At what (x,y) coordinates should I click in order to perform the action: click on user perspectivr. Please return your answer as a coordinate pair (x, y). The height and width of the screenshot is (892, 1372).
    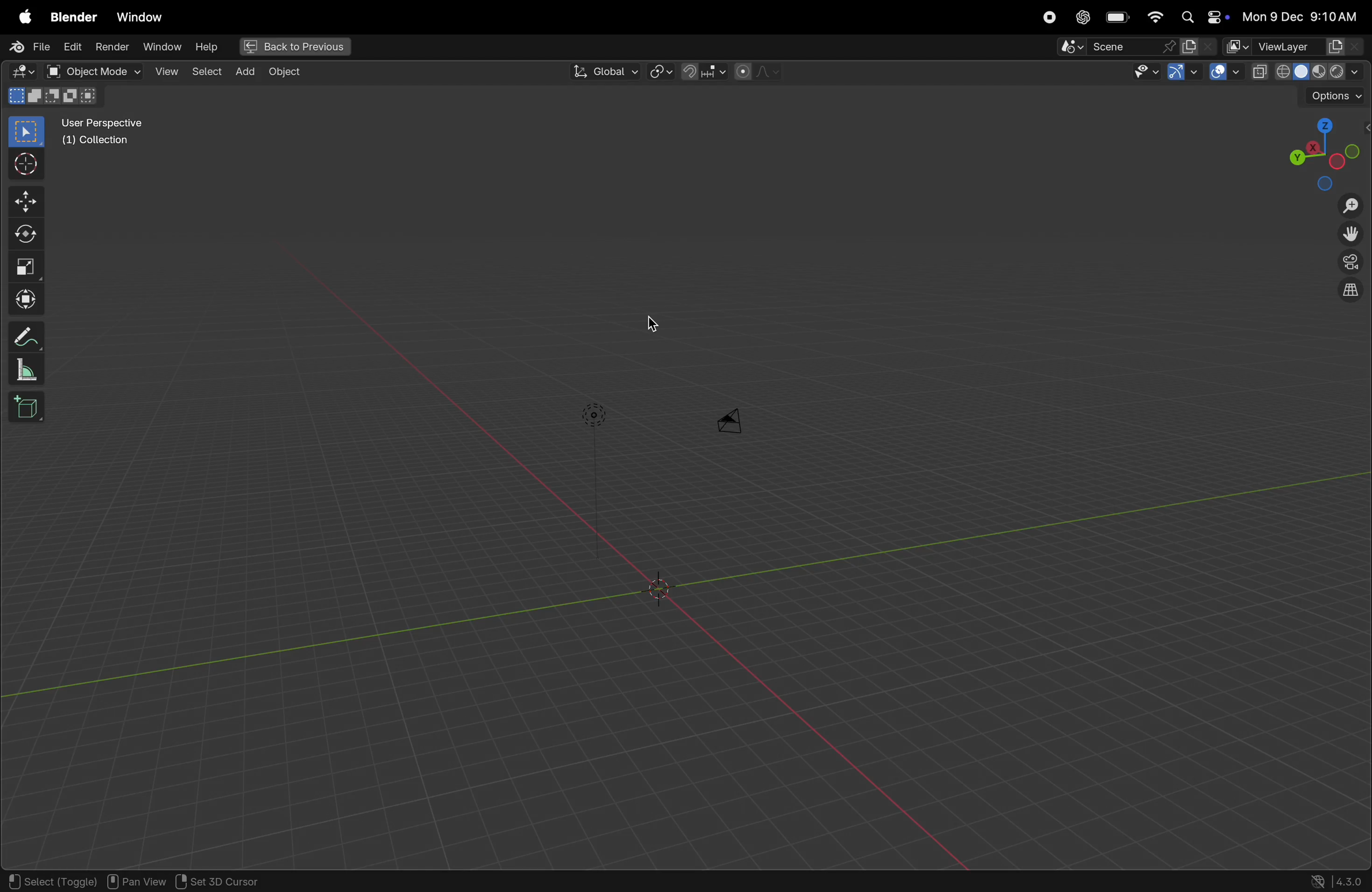
    Looking at the image, I should click on (105, 134).